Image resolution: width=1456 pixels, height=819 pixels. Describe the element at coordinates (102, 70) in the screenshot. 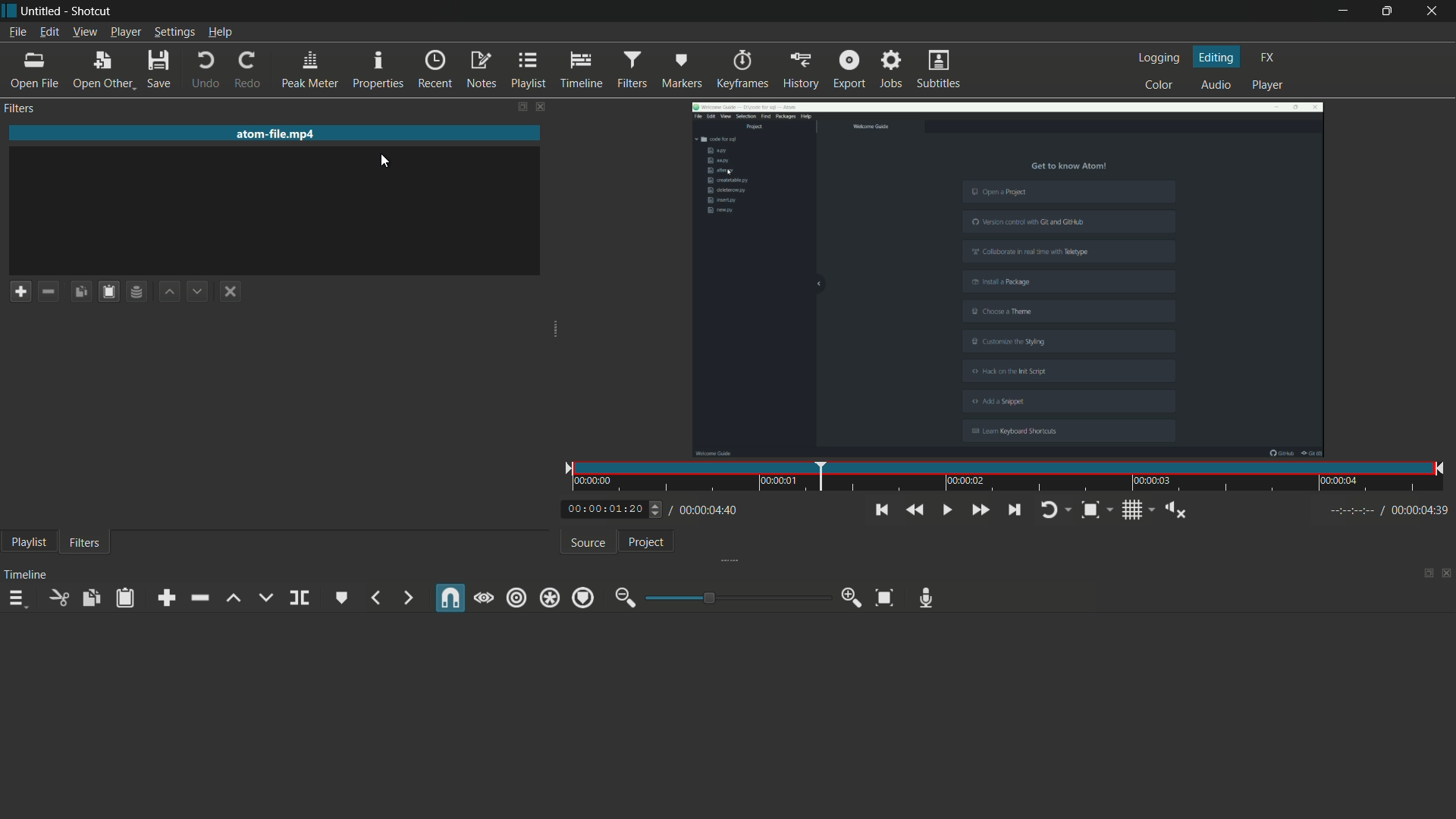

I see `open other` at that location.